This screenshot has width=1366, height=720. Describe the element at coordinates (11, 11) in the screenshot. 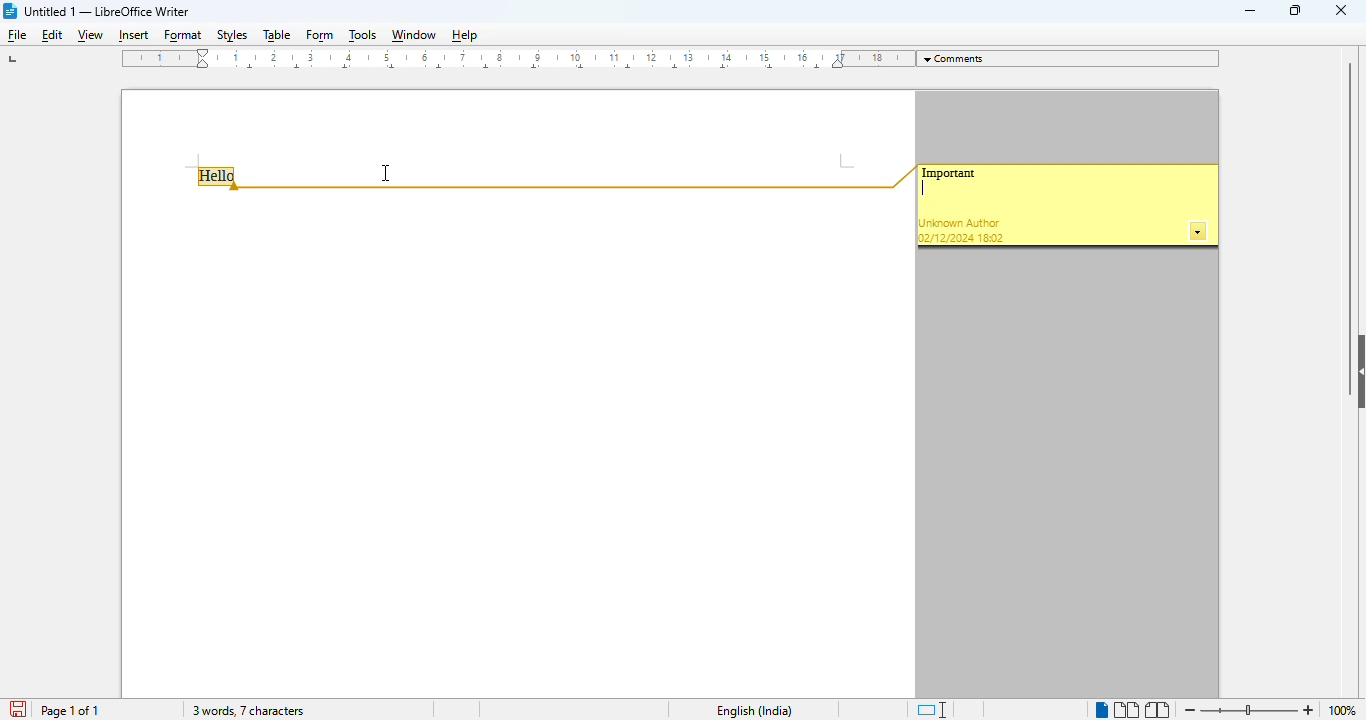

I see `logo` at that location.